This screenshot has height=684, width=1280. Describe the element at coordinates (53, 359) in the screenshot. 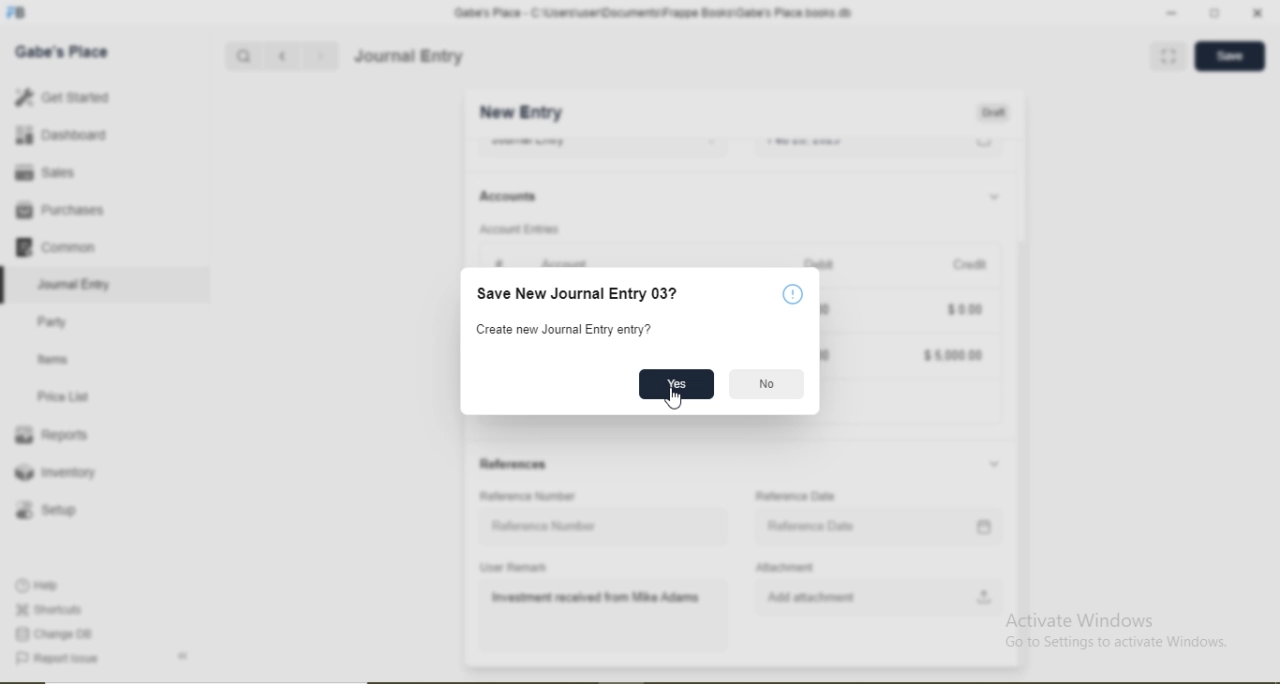

I see `Items` at that location.